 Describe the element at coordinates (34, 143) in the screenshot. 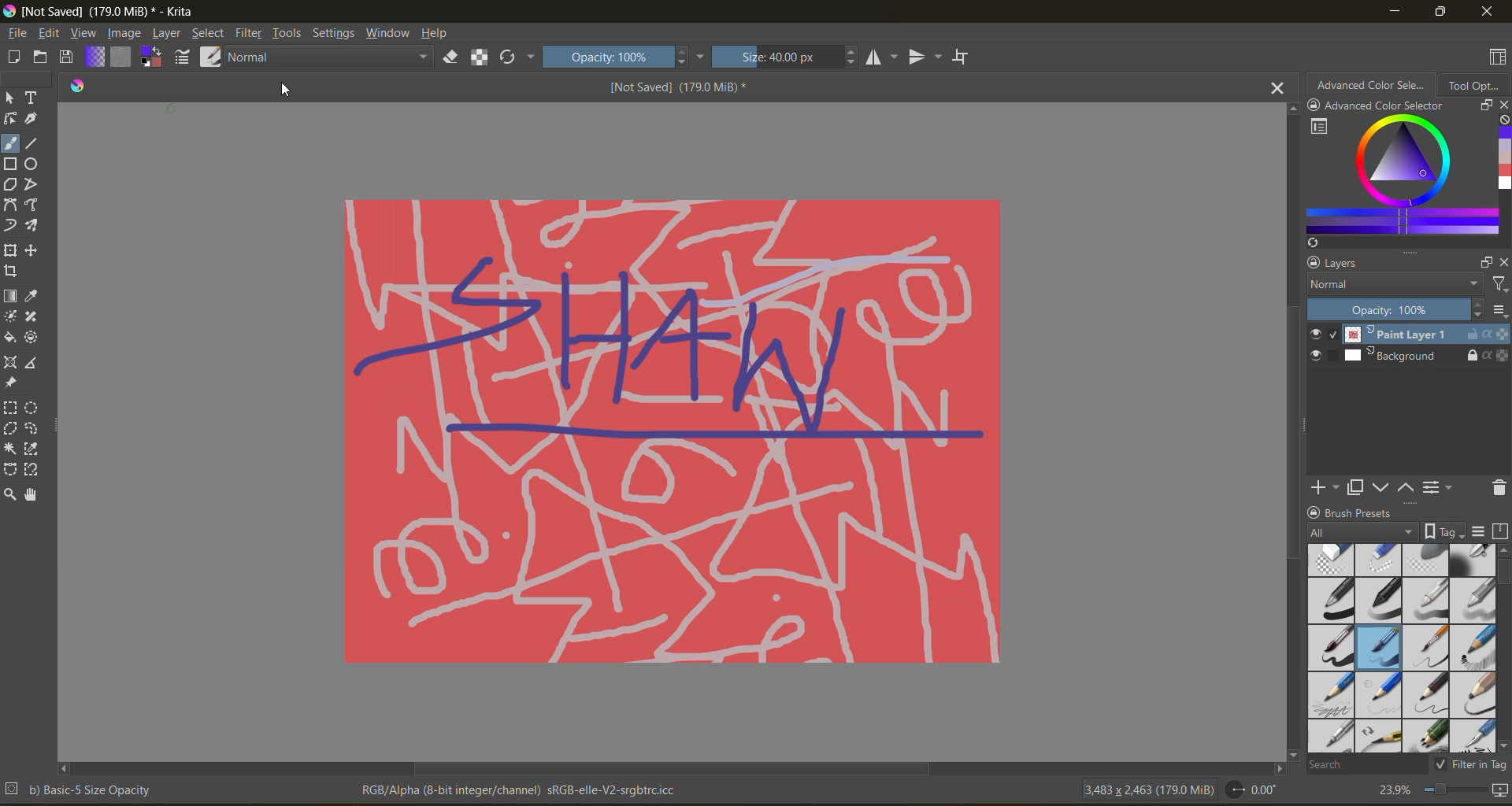

I see `line tool` at that location.